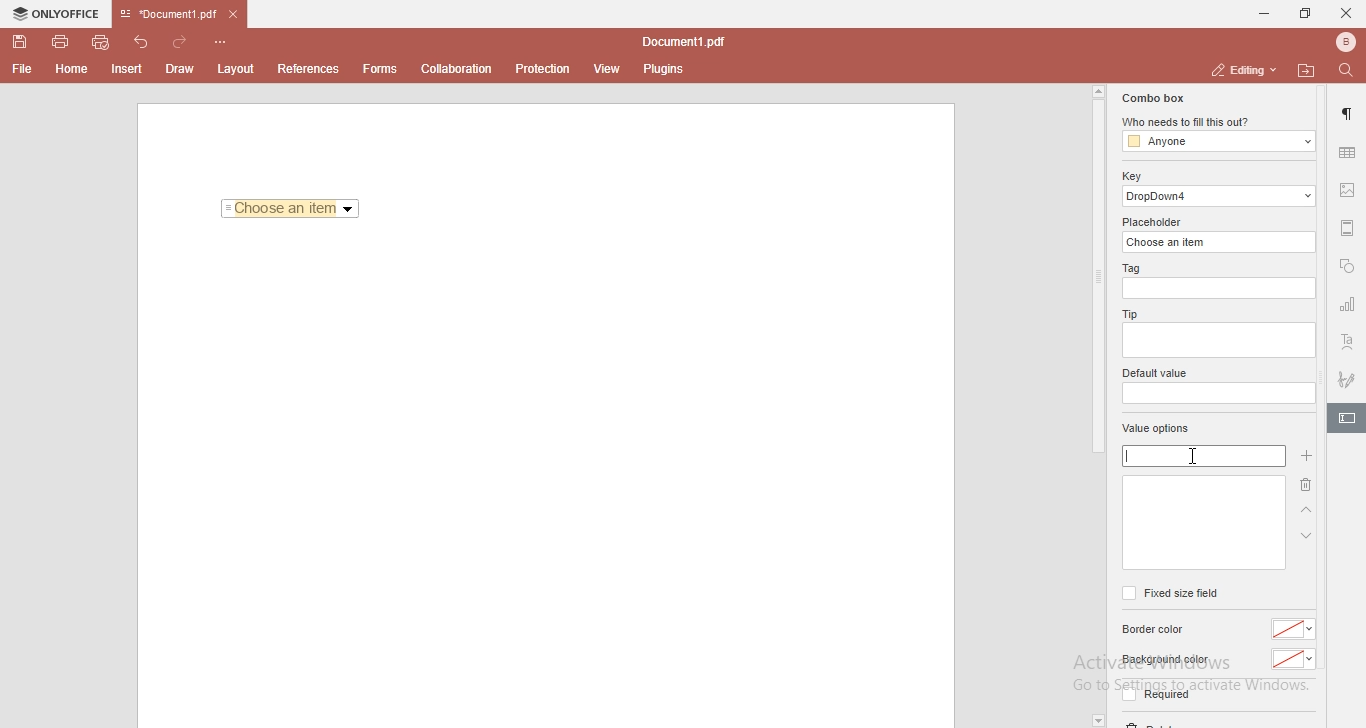 This screenshot has height=728, width=1366. What do you see at coordinates (1131, 176) in the screenshot?
I see `key` at bounding box center [1131, 176].